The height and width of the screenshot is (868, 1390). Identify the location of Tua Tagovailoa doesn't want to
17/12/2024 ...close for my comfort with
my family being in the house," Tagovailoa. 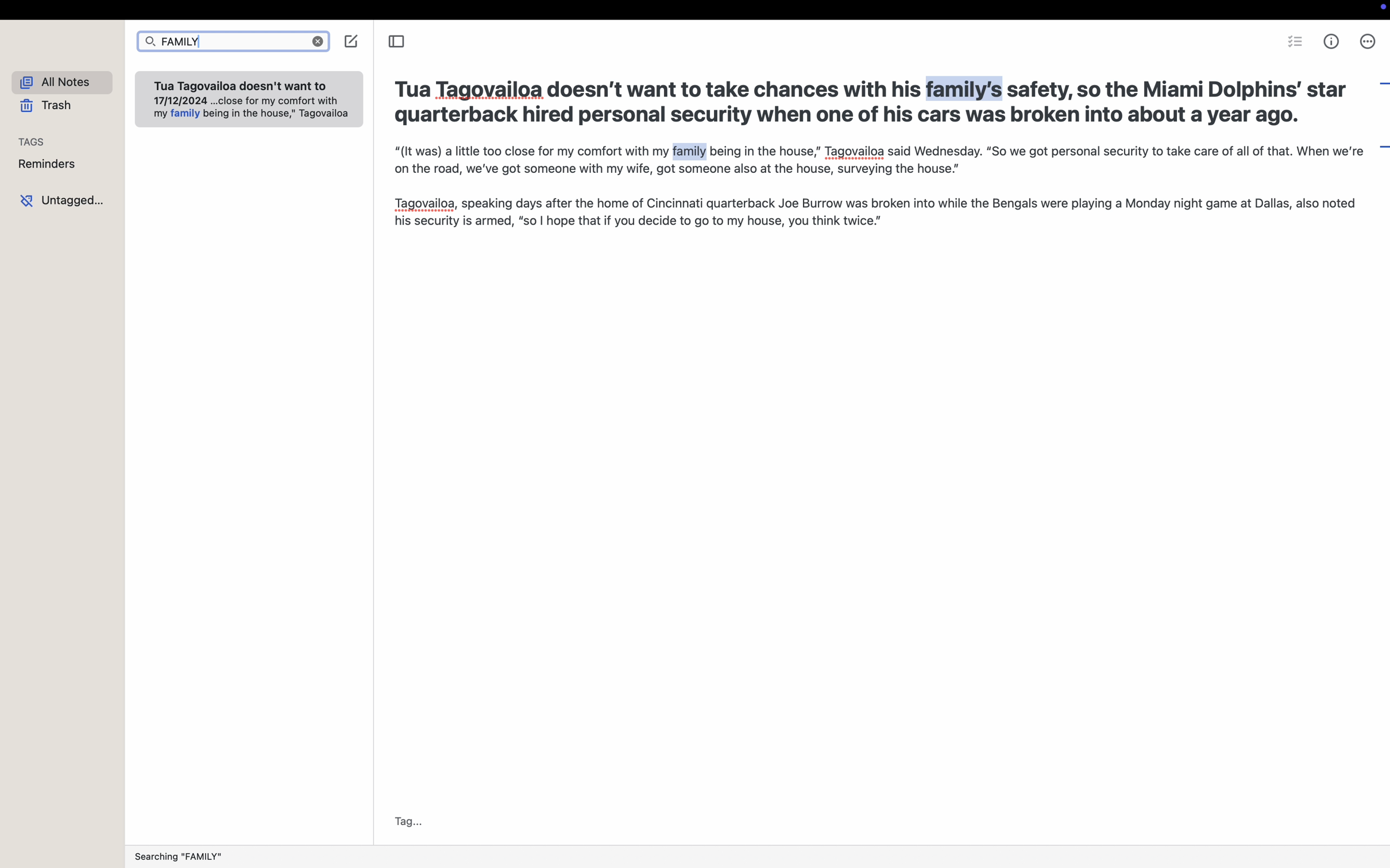
(249, 102).